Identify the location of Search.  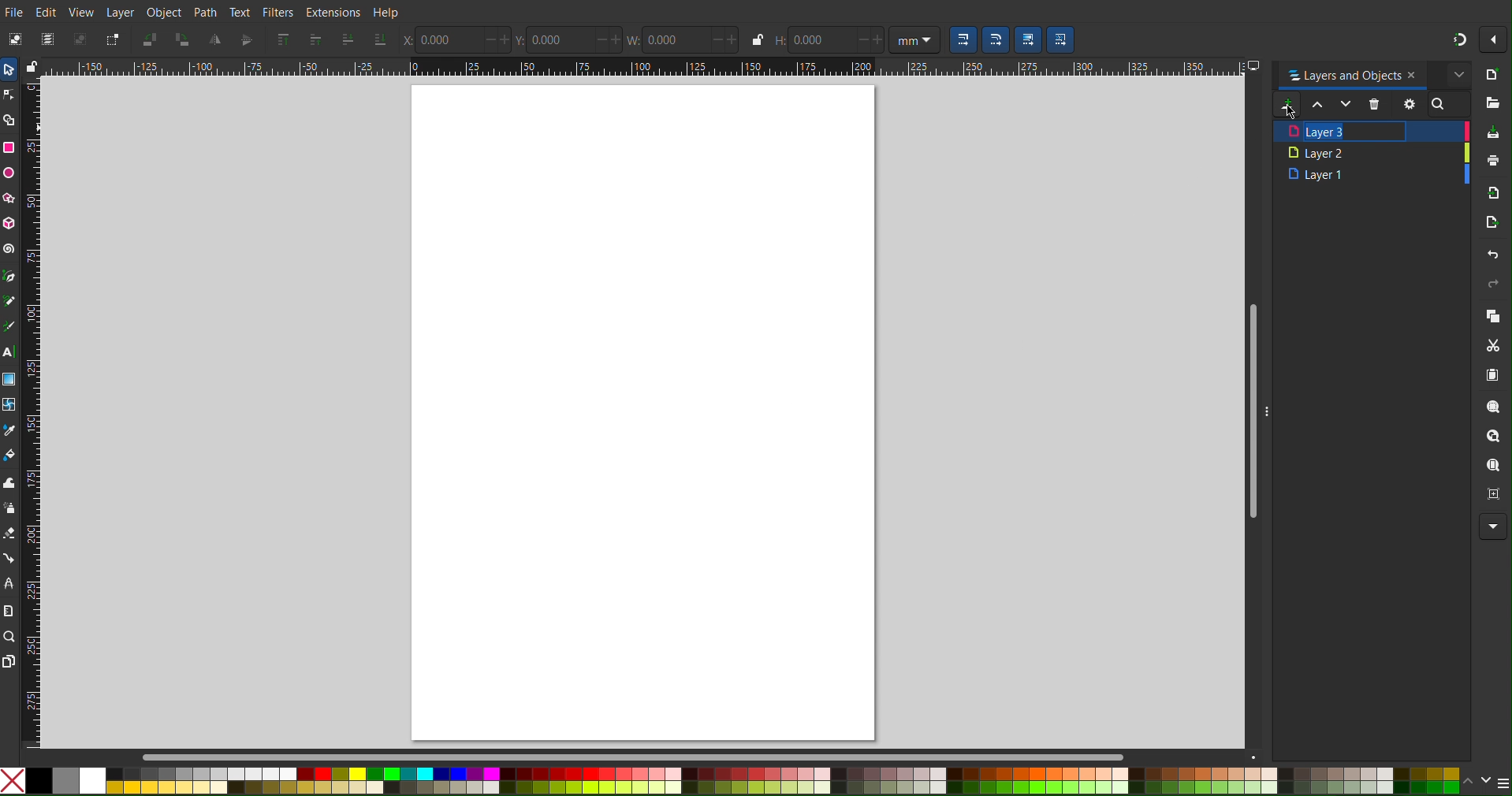
(1447, 103).